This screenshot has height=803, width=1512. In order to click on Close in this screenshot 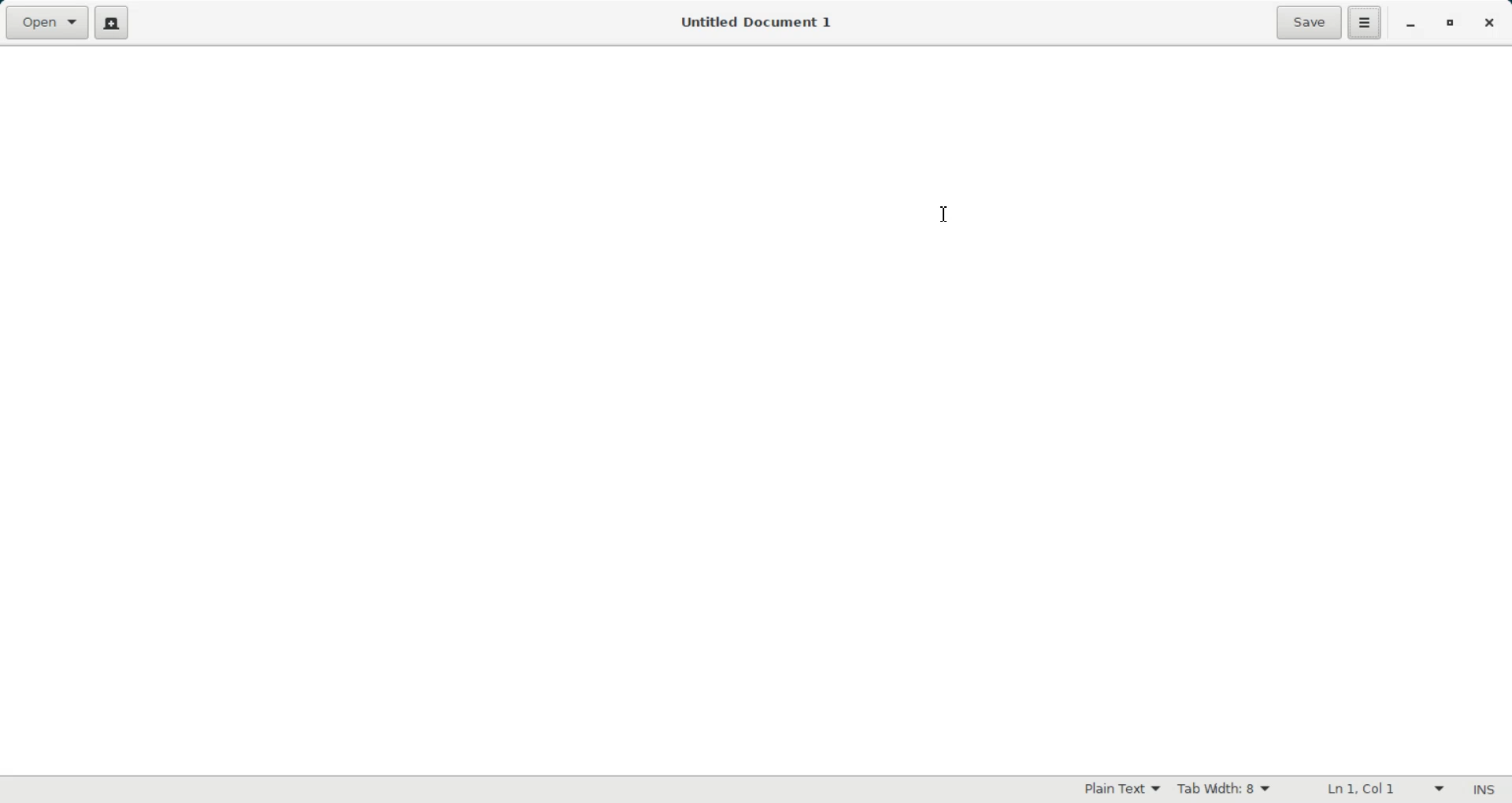, I will do `click(1488, 23)`.